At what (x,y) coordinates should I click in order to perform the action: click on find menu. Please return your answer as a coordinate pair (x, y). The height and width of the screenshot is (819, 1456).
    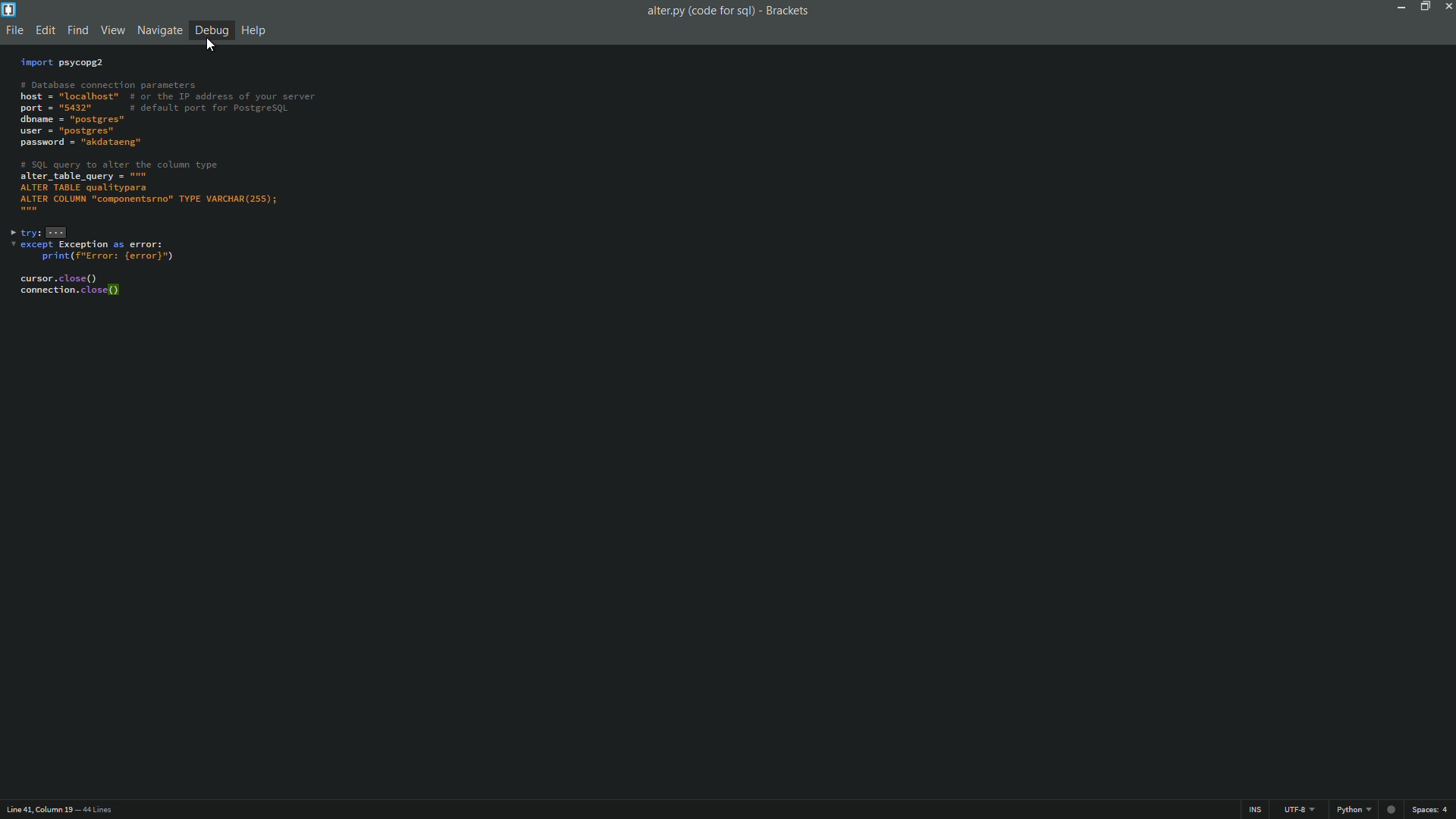
    Looking at the image, I should click on (78, 30).